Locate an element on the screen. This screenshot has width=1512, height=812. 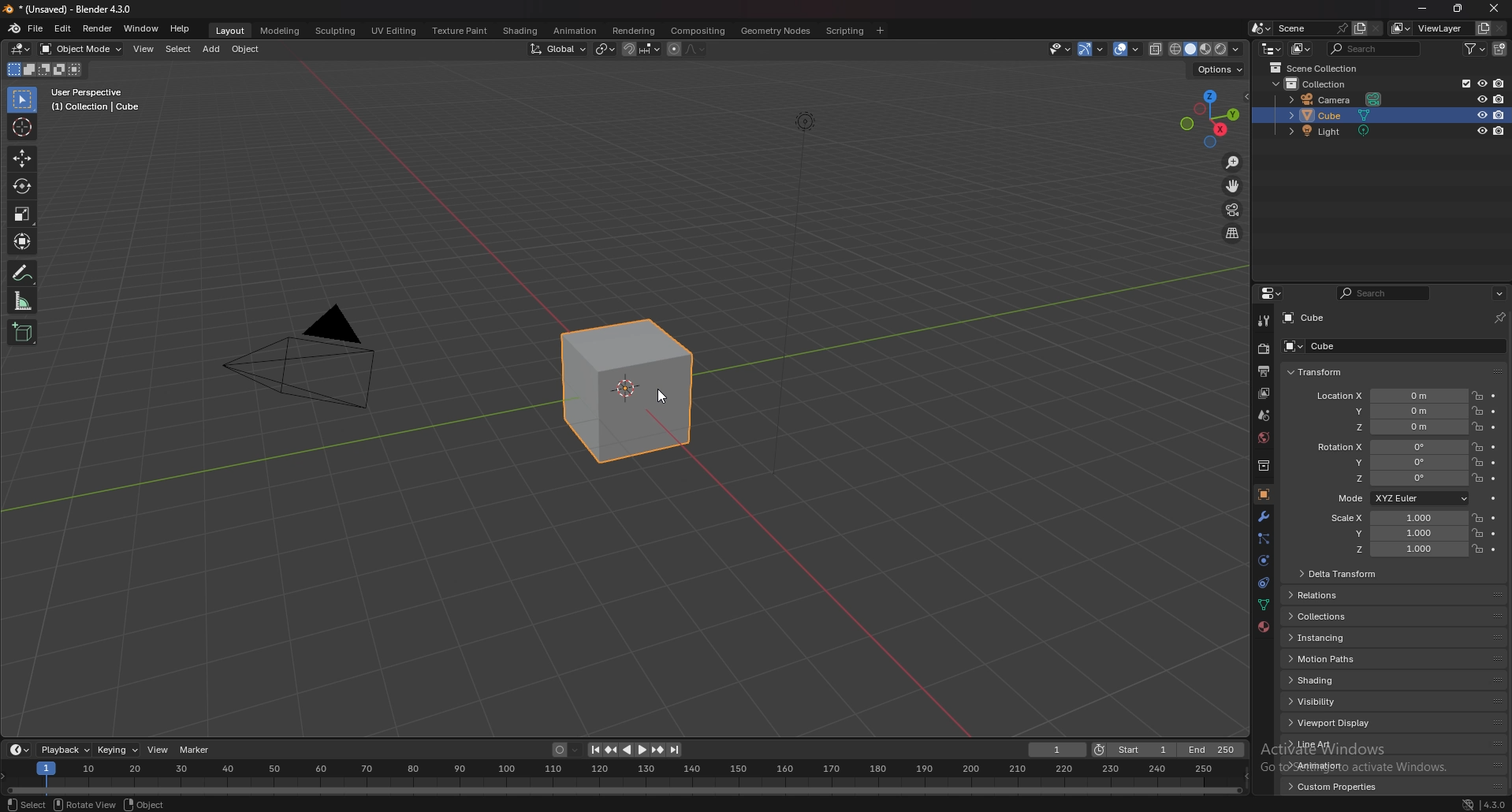
light is located at coordinates (1342, 131).